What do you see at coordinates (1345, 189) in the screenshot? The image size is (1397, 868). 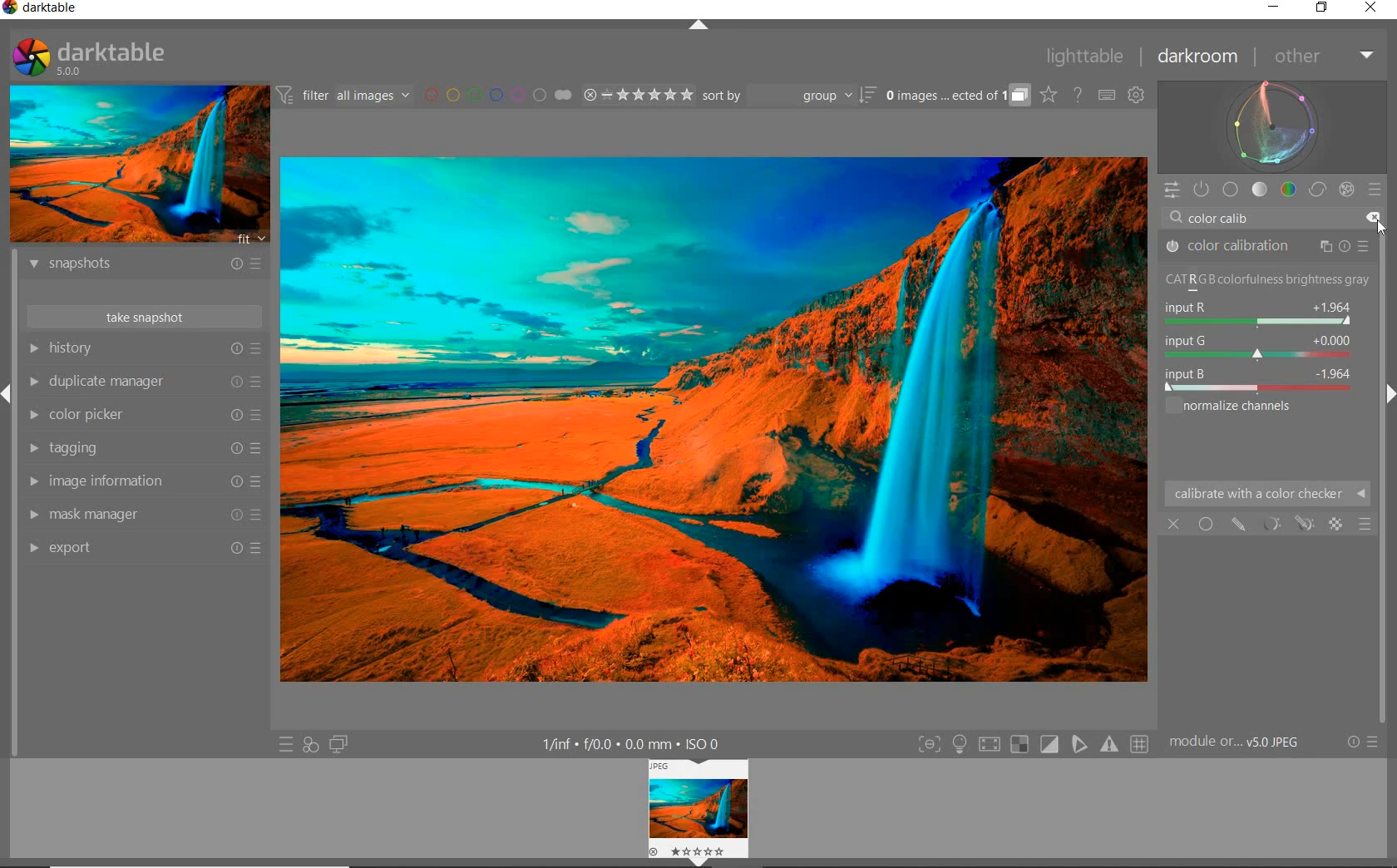 I see `effect` at bounding box center [1345, 189].